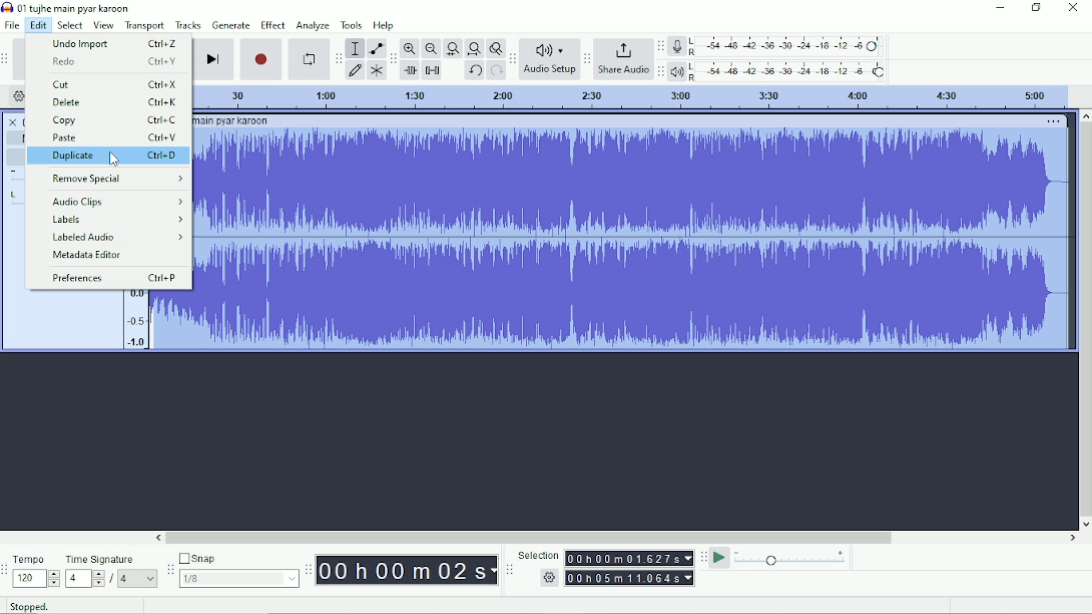 The image size is (1092, 614). Describe the element at coordinates (1036, 8) in the screenshot. I see `Restore down` at that location.